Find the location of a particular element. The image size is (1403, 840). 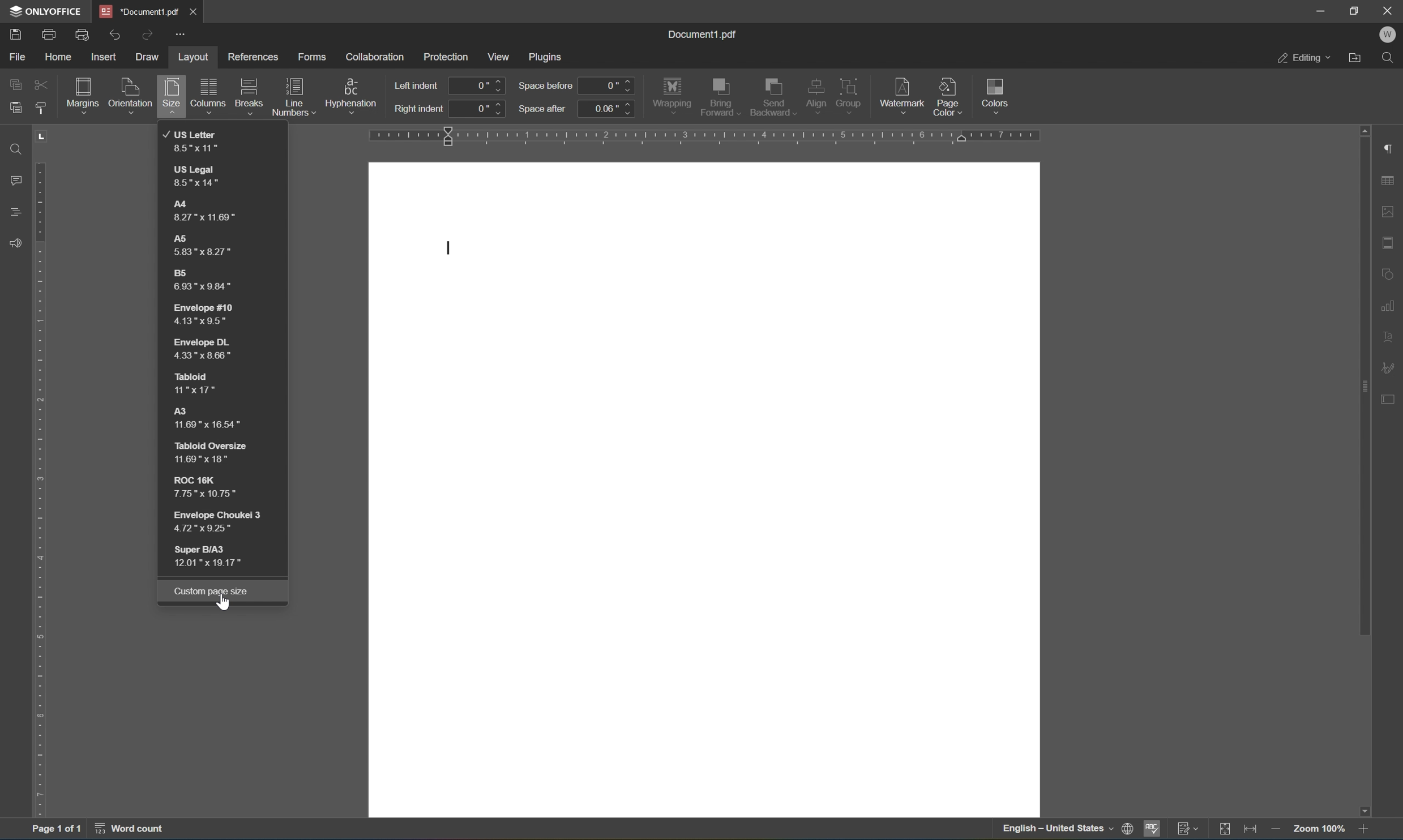

customize quick access toolbar is located at coordinates (182, 36).